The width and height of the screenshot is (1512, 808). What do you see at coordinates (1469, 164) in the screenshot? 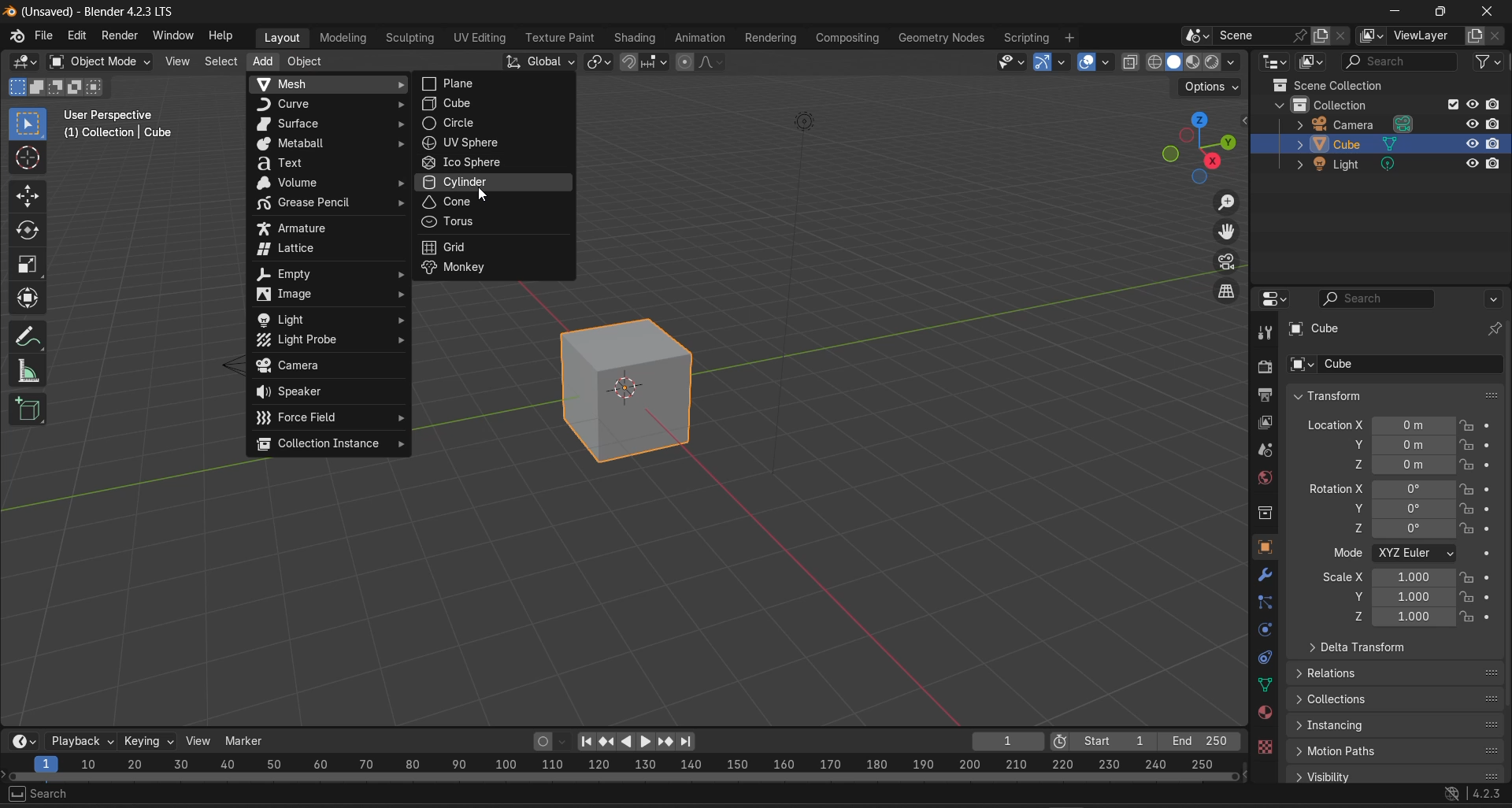
I see `hide in view port` at bounding box center [1469, 164].